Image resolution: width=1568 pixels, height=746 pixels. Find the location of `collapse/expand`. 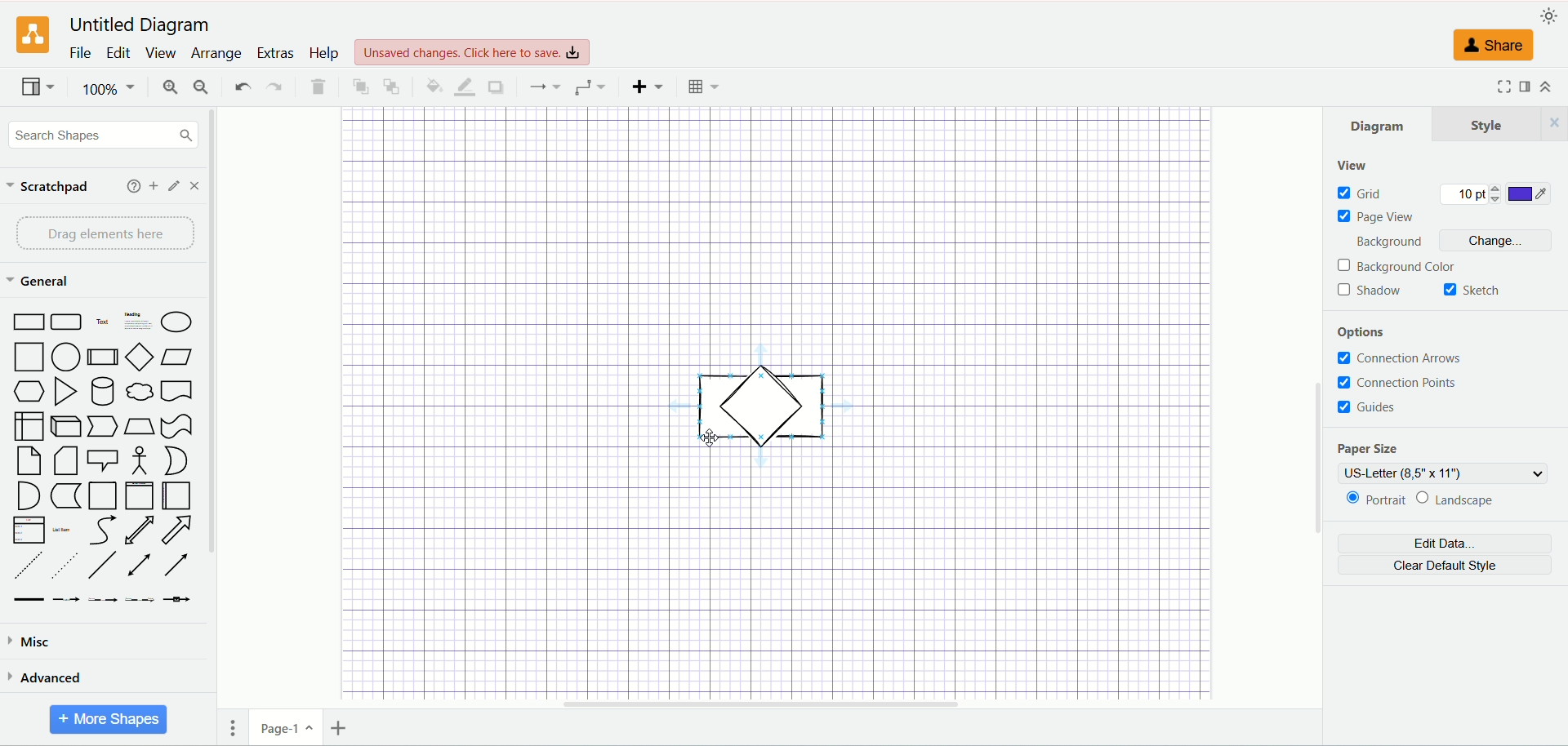

collapse/expand is located at coordinates (1545, 86).